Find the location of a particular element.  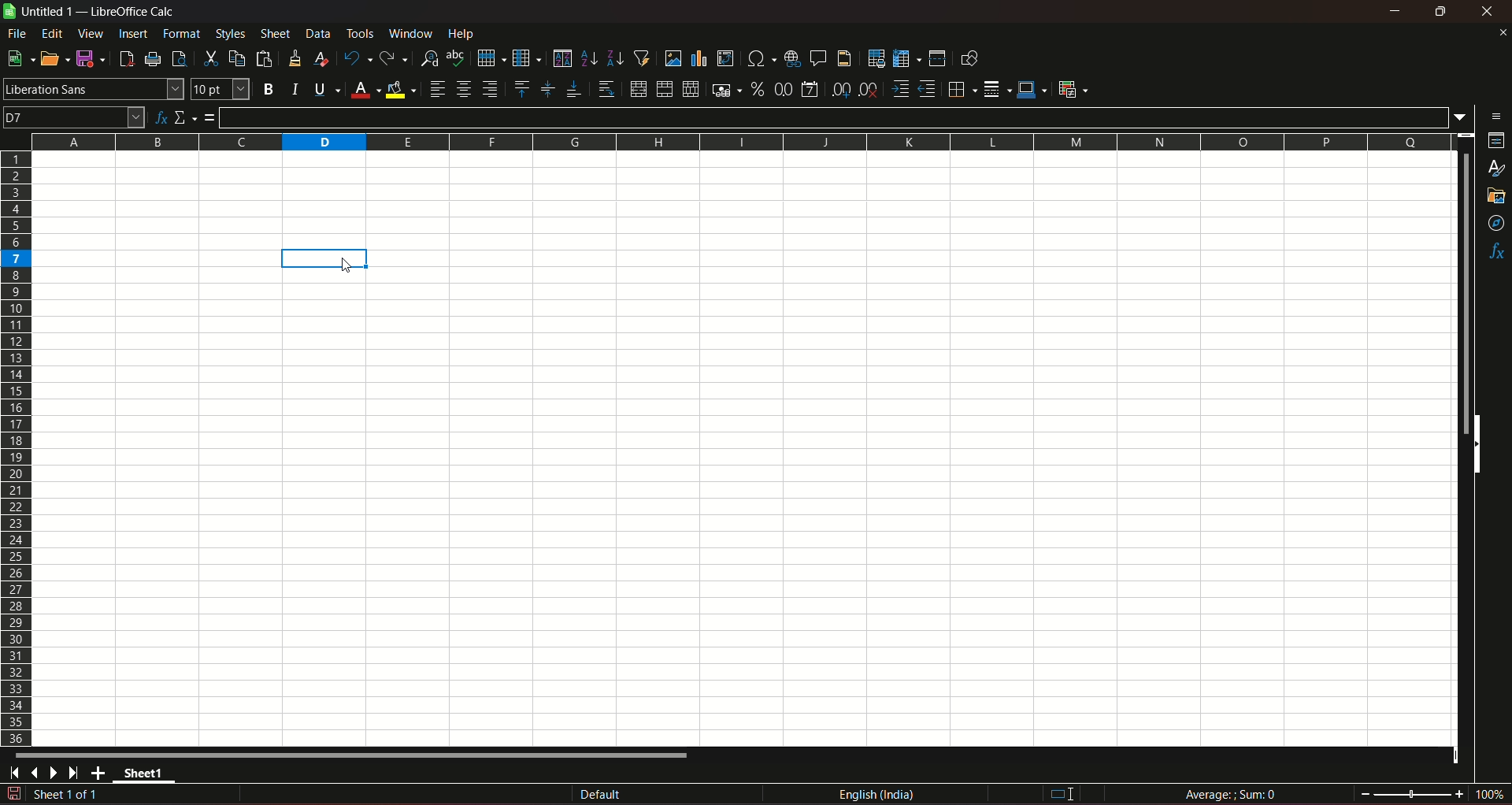

add new sheet is located at coordinates (100, 773).